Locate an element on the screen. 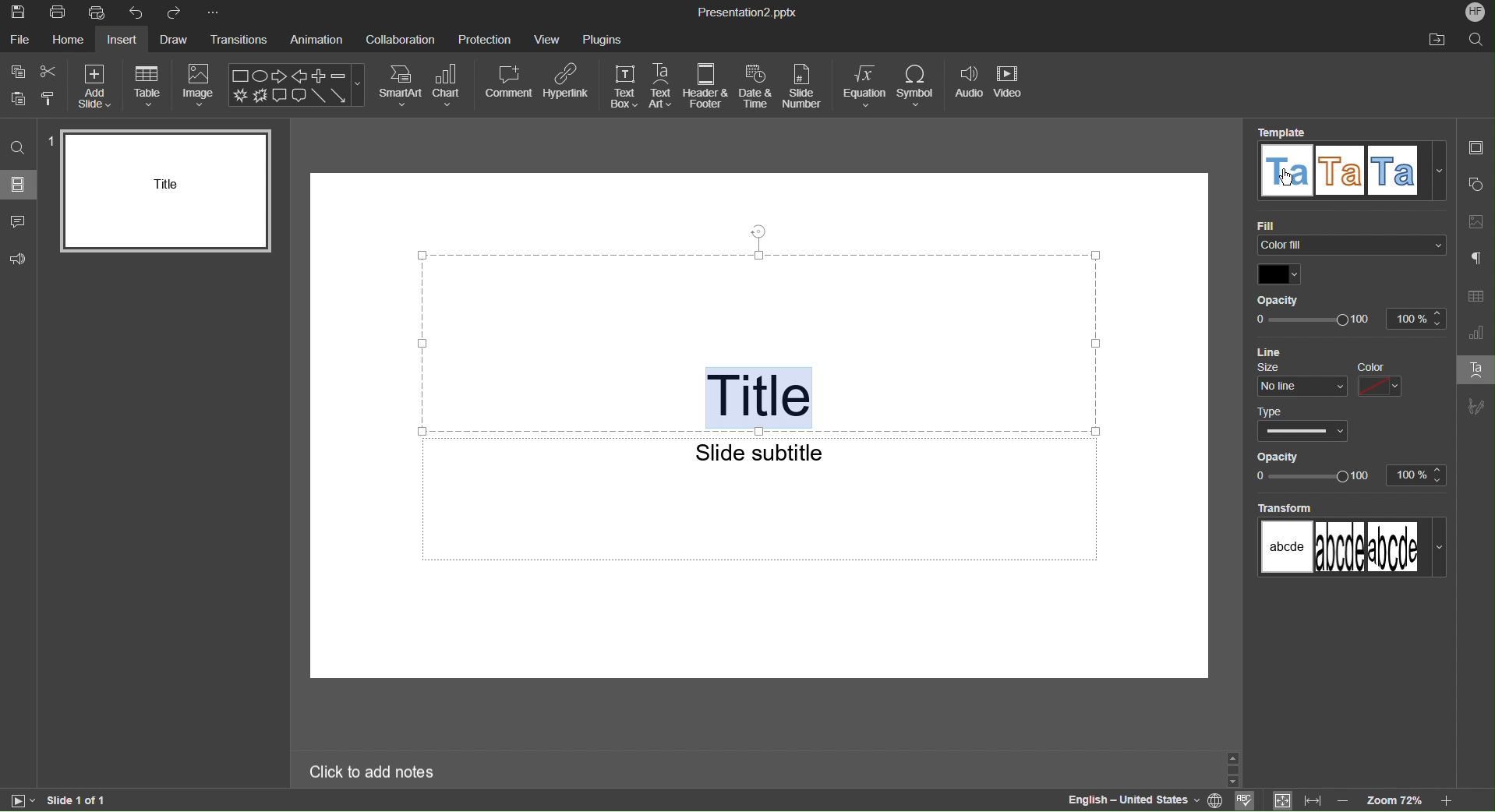 The width and height of the screenshot is (1495, 812). zoom level is located at coordinates (1396, 800).